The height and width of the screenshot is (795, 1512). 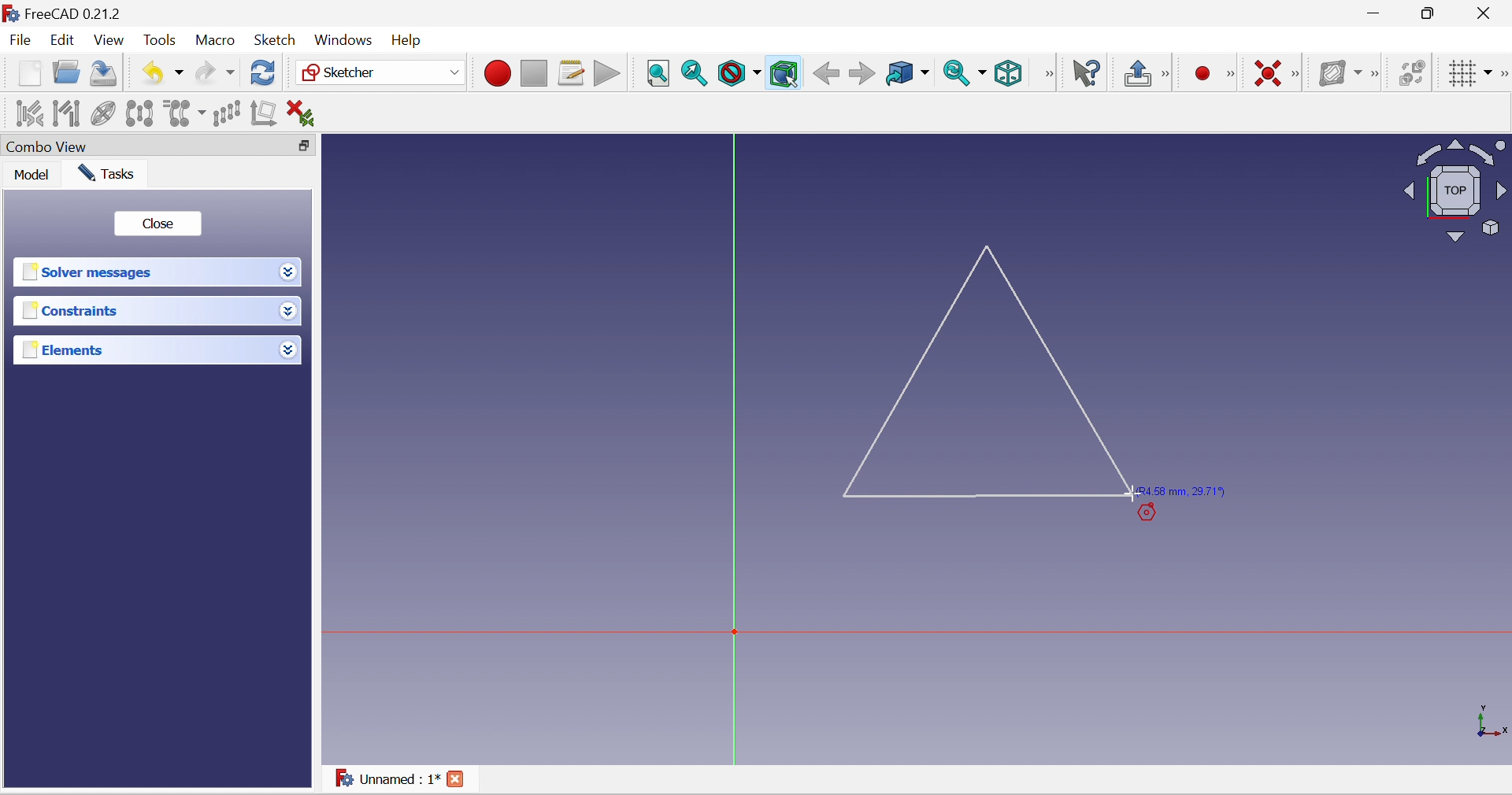 What do you see at coordinates (67, 74) in the screenshot?
I see `Open` at bounding box center [67, 74].